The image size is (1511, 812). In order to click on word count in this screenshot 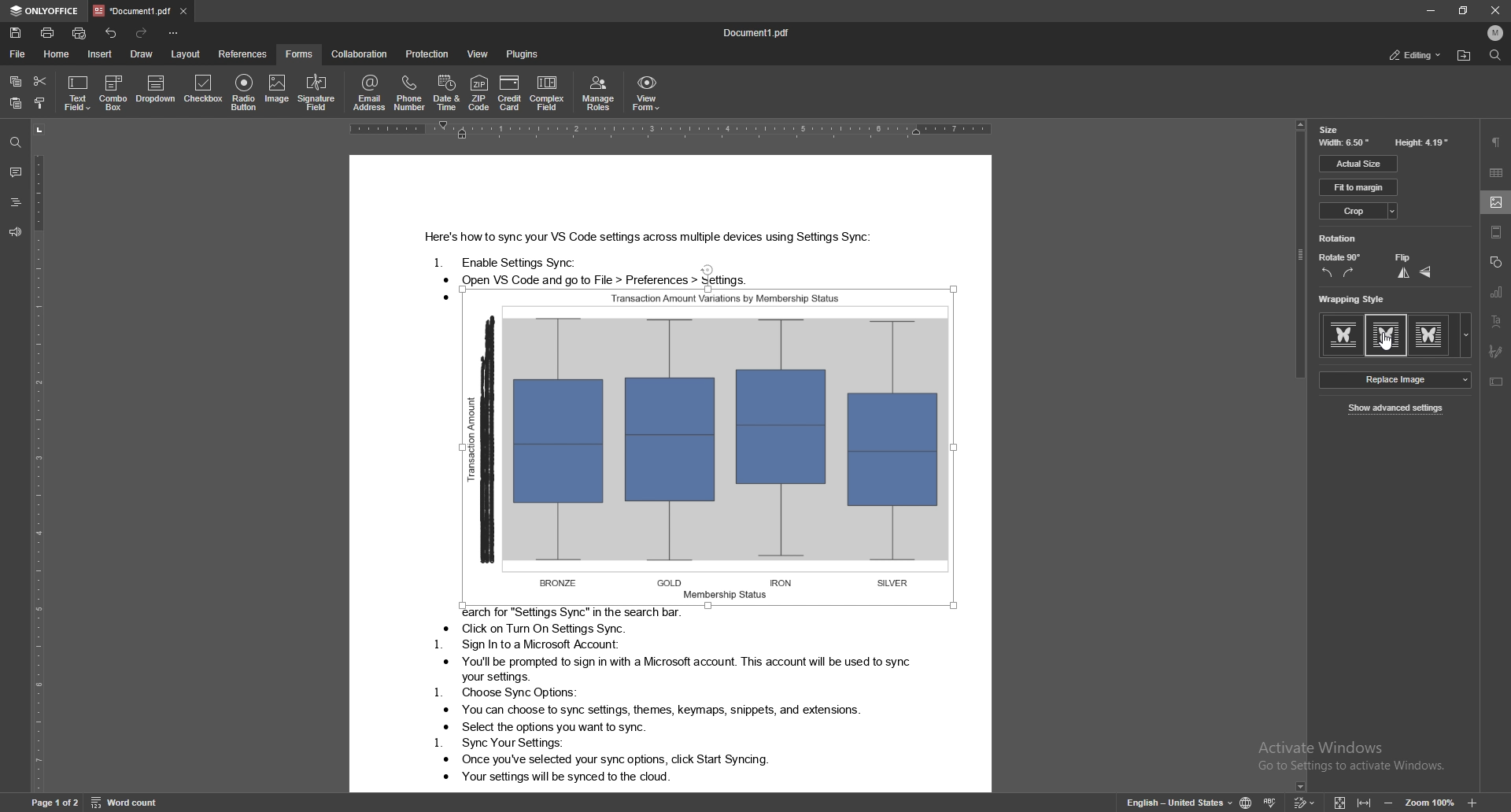, I will do `click(125, 802)`.